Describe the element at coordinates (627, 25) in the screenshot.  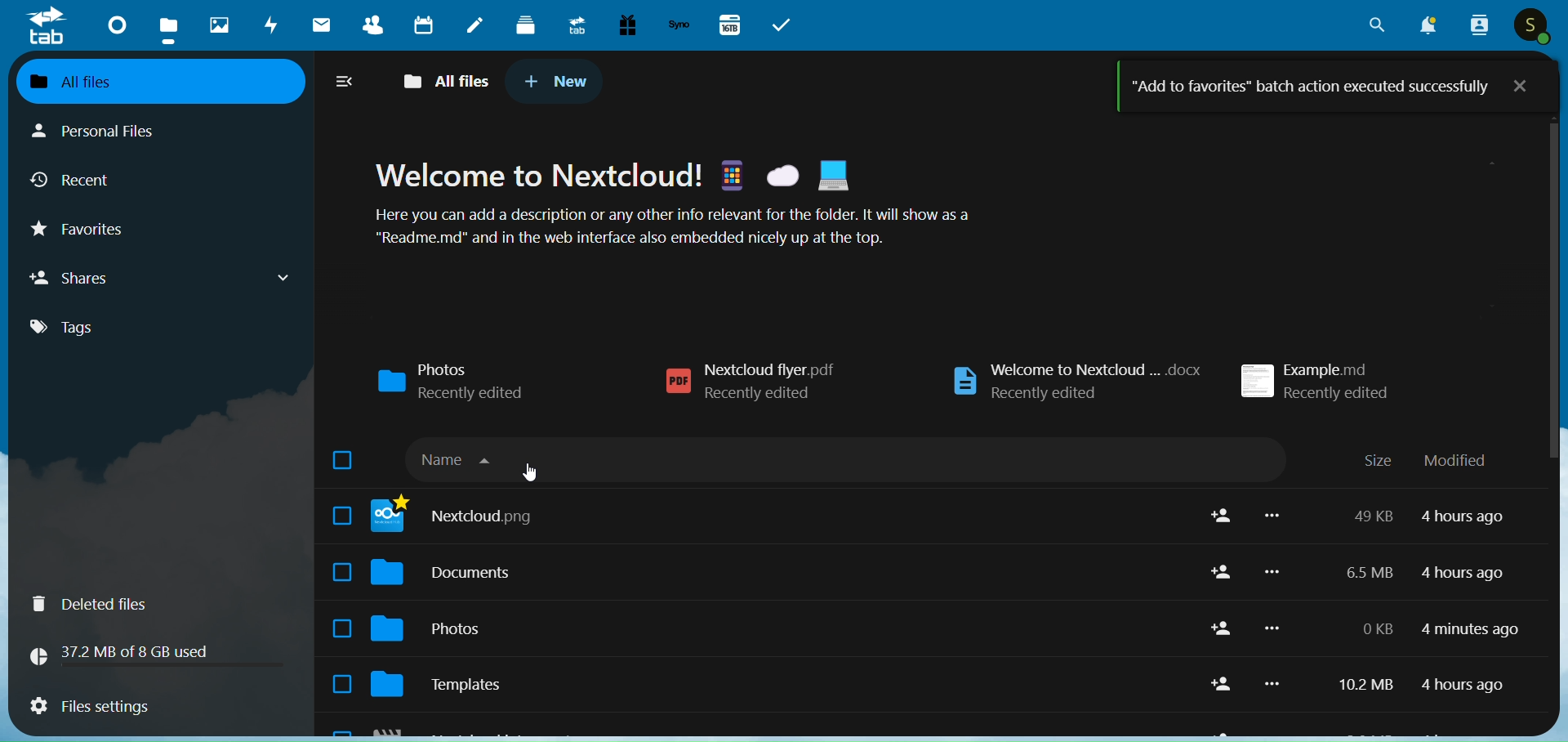
I see `free trial` at that location.